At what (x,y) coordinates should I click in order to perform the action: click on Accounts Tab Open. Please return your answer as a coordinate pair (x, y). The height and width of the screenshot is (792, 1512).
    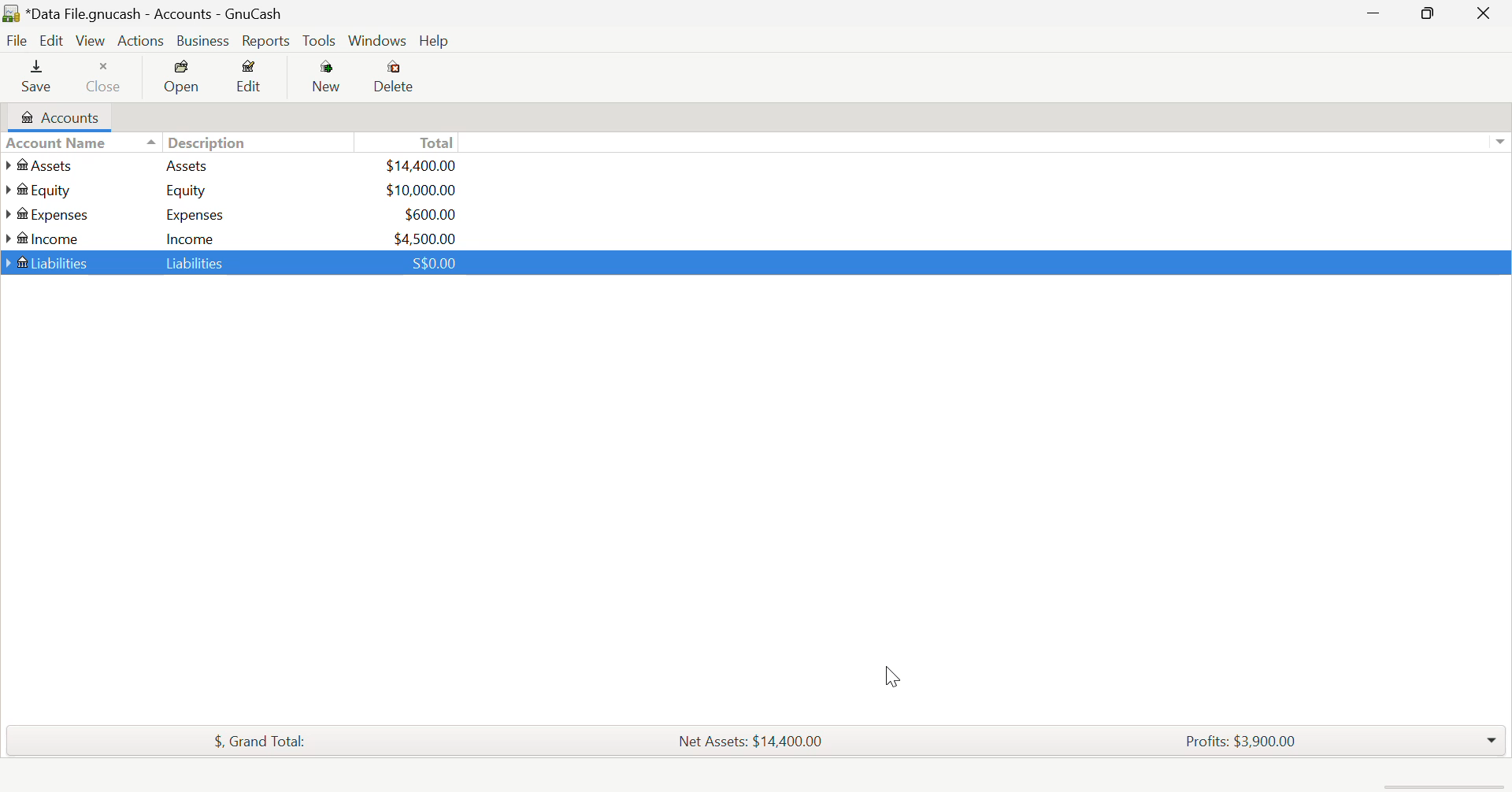
    Looking at the image, I should click on (65, 117).